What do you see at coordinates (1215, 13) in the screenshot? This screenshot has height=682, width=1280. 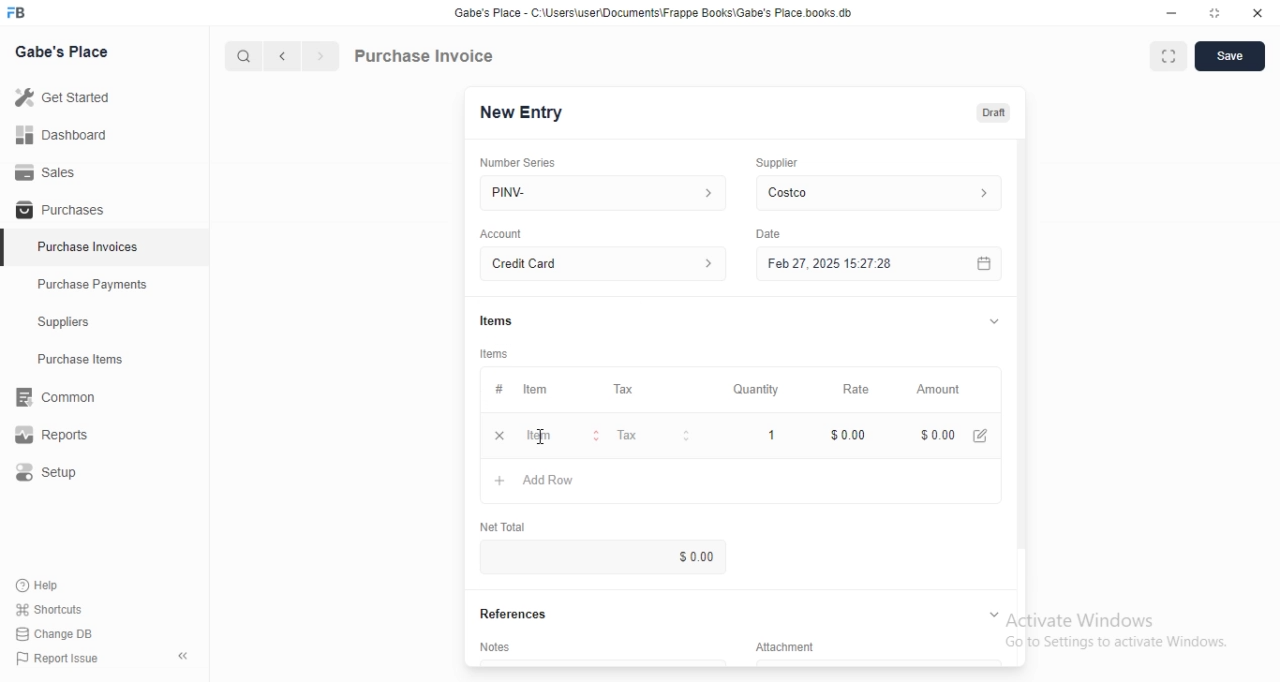 I see `Change dimension` at bounding box center [1215, 13].